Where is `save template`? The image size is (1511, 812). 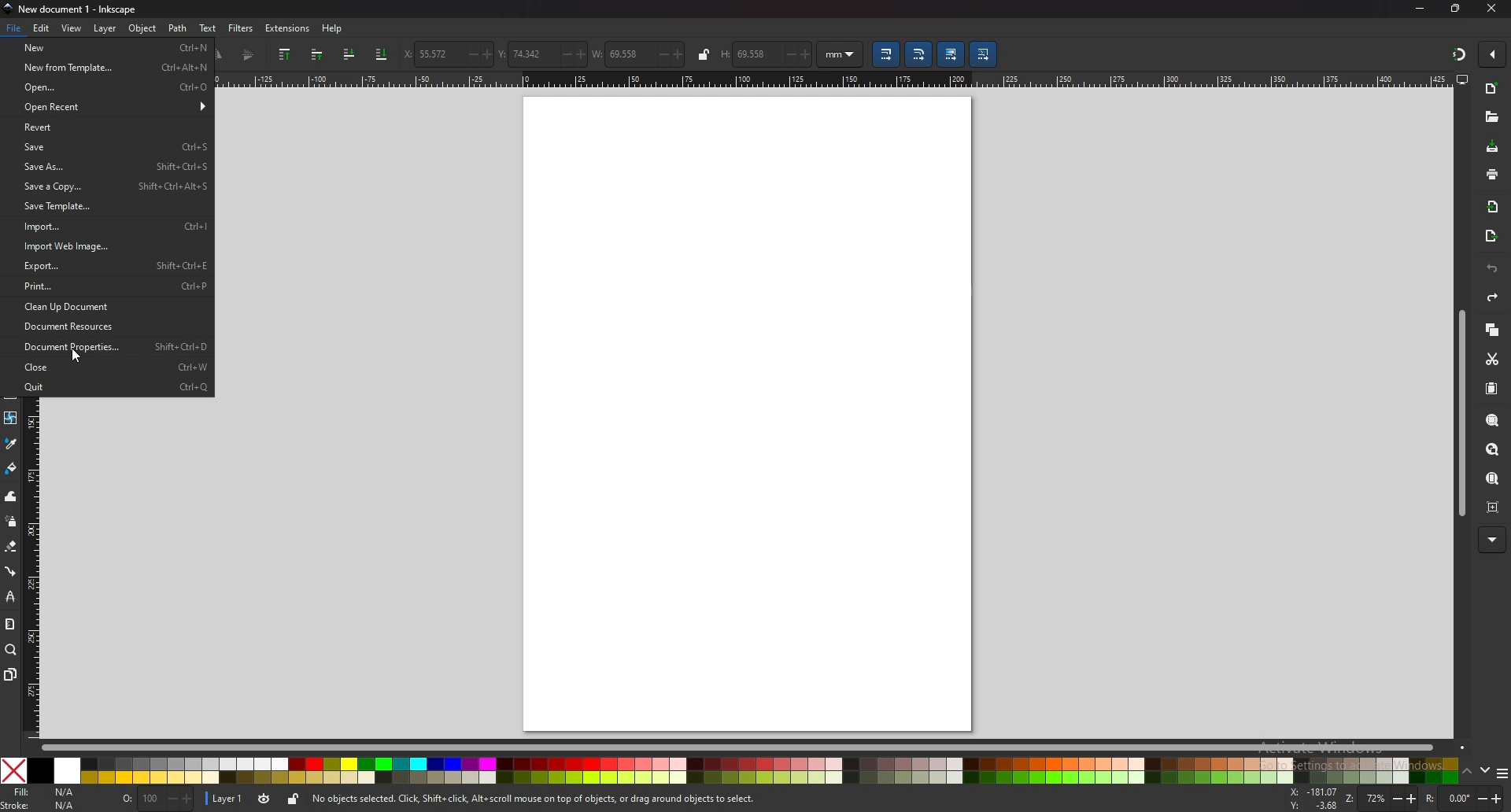 save template is located at coordinates (107, 207).